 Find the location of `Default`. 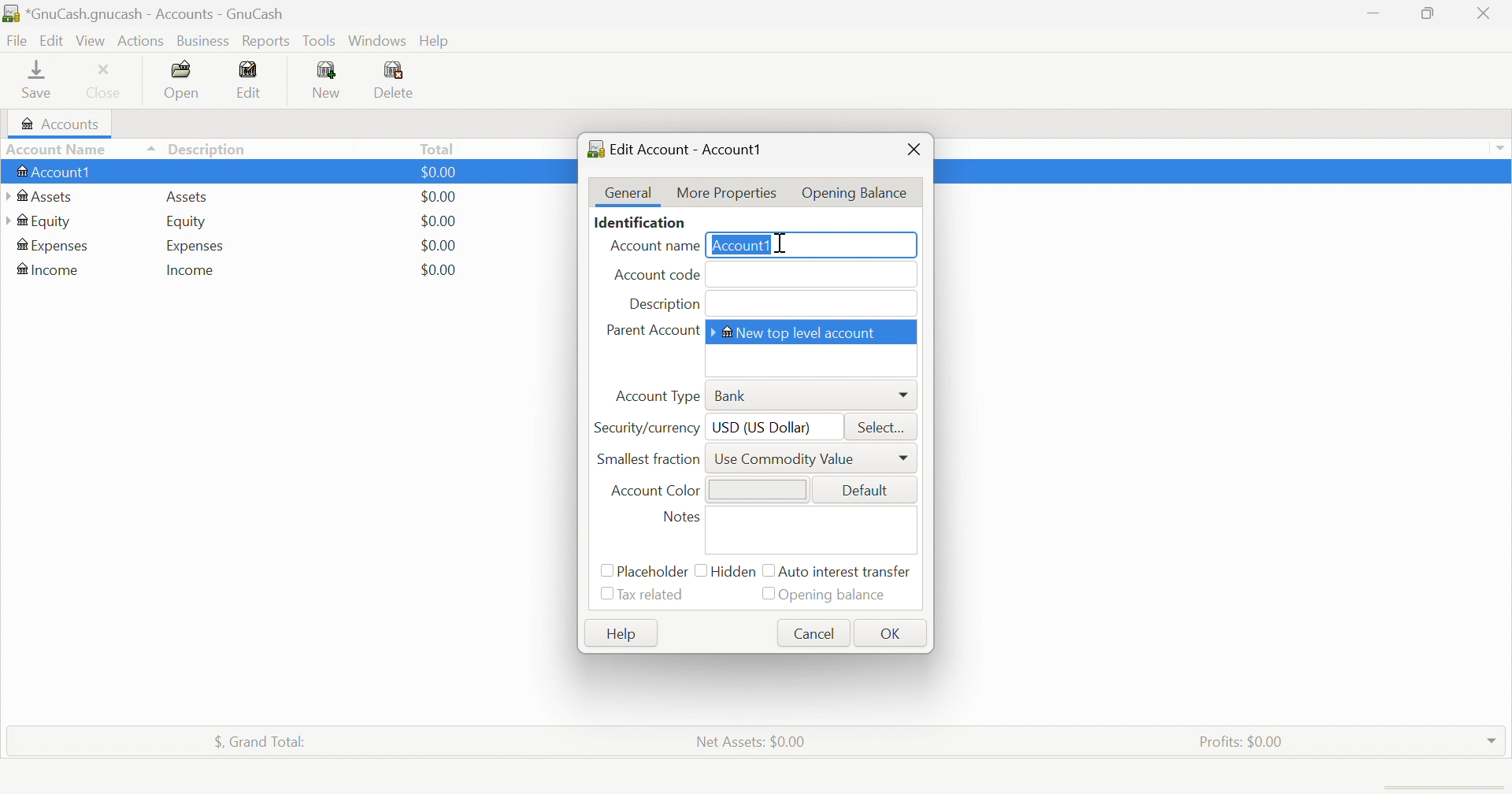

Default is located at coordinates (863, 492).